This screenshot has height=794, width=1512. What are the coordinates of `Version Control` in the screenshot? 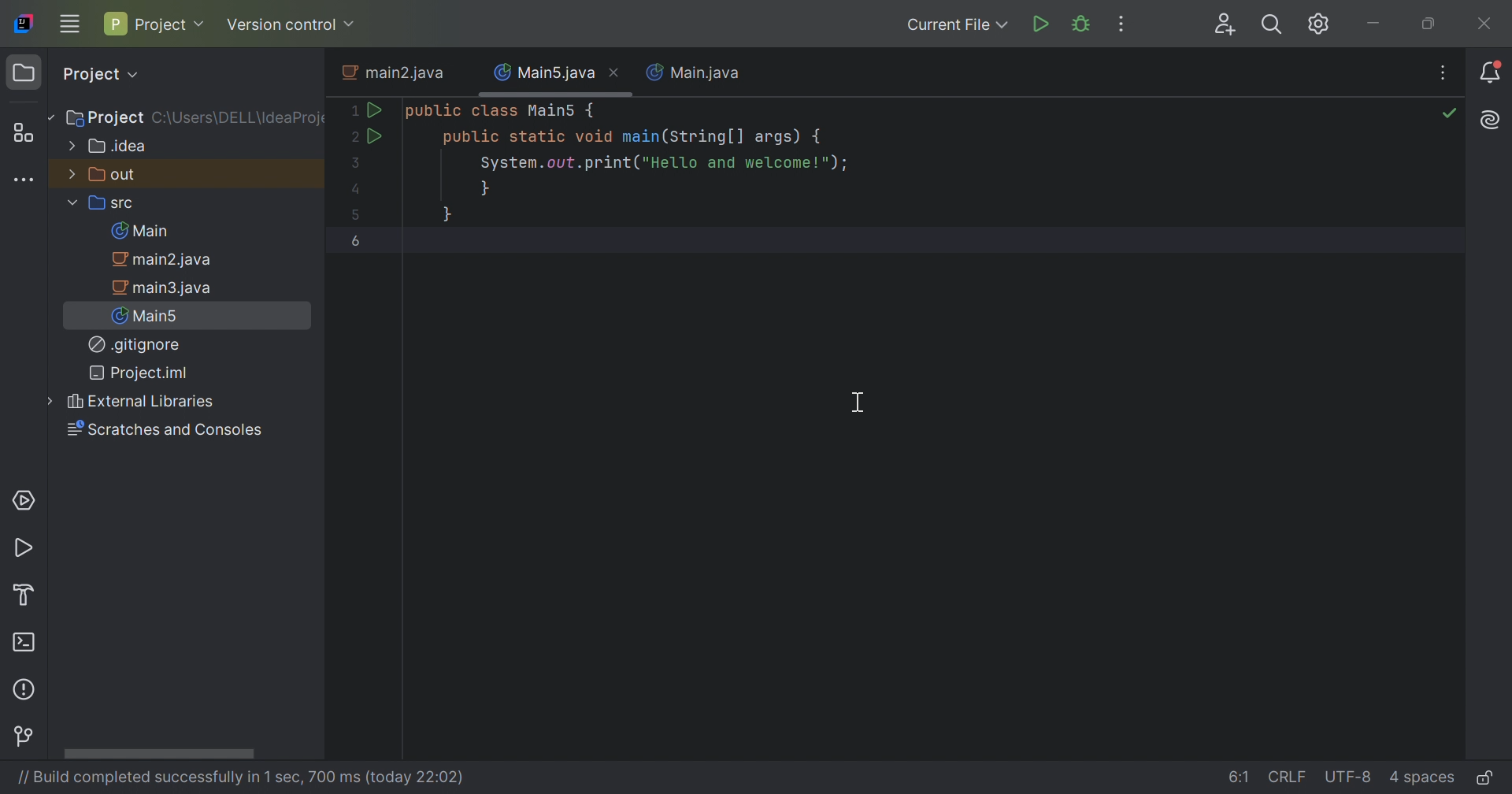 It's located at (26, 738).